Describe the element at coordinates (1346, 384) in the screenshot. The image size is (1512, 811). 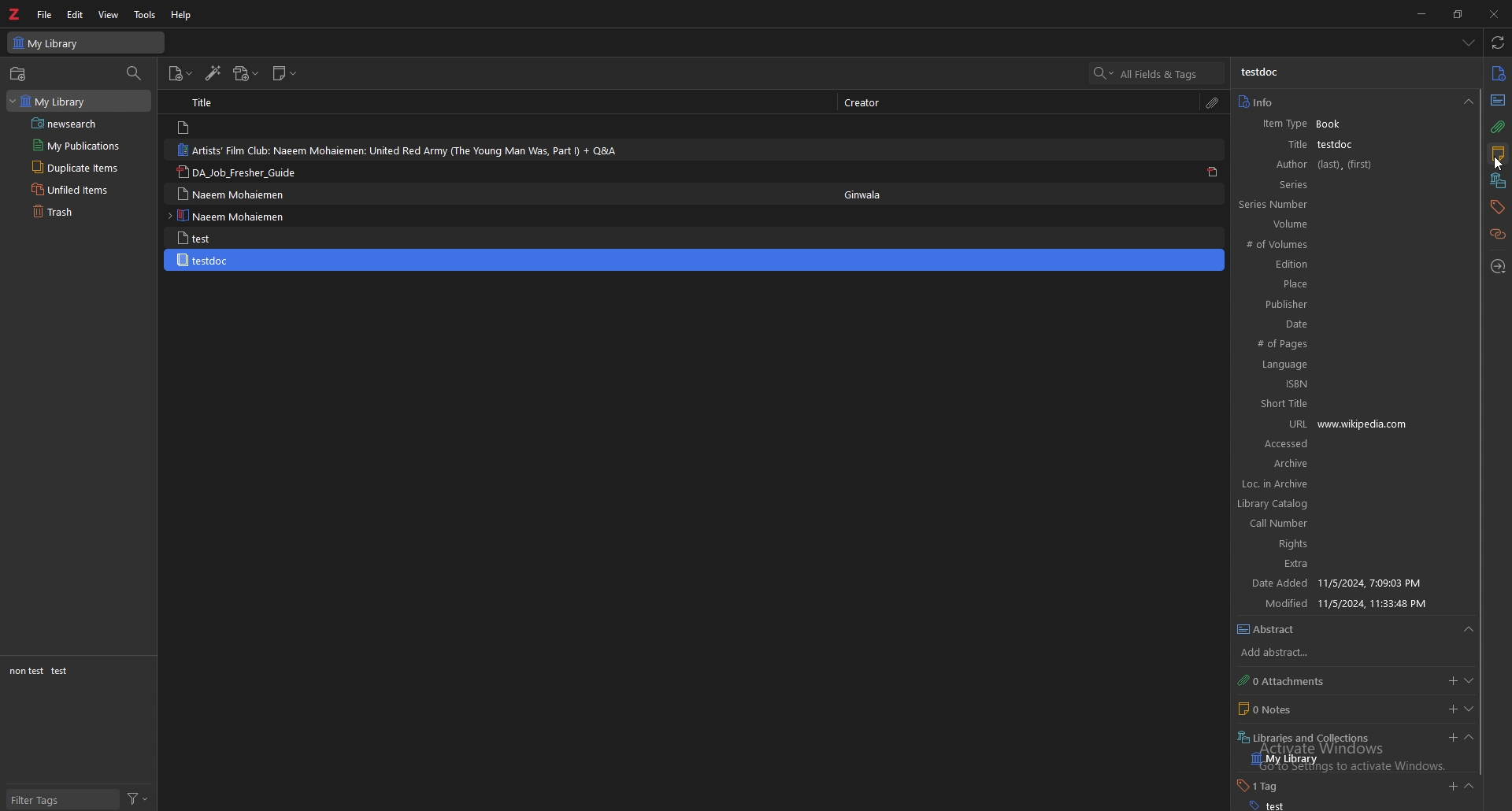
I see `isbn` at that location.